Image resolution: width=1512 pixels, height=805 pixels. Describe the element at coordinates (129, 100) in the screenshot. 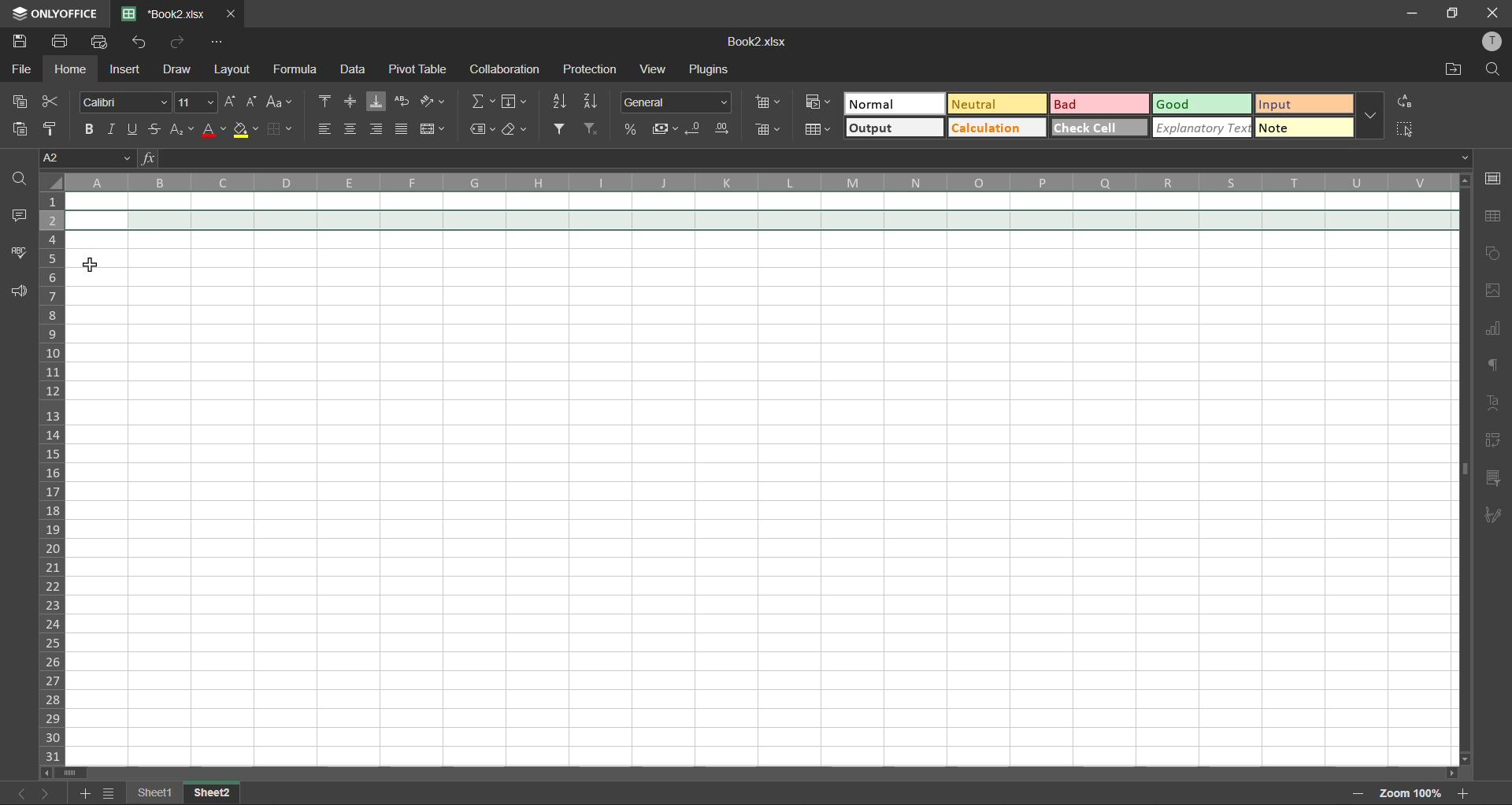

I see `font style` at that location.